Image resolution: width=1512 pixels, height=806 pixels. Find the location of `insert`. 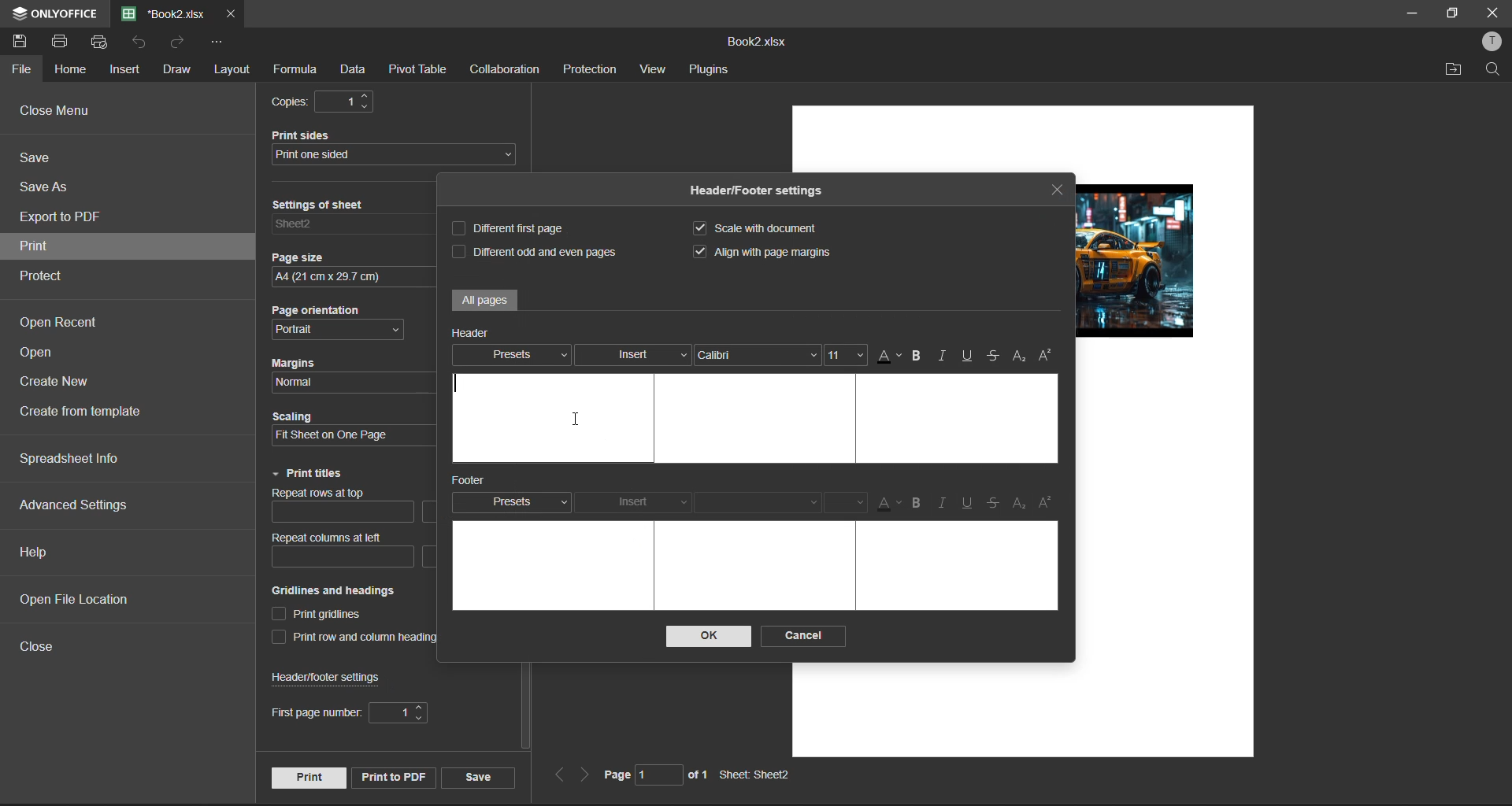

insert is located at coordinates (637, 499).